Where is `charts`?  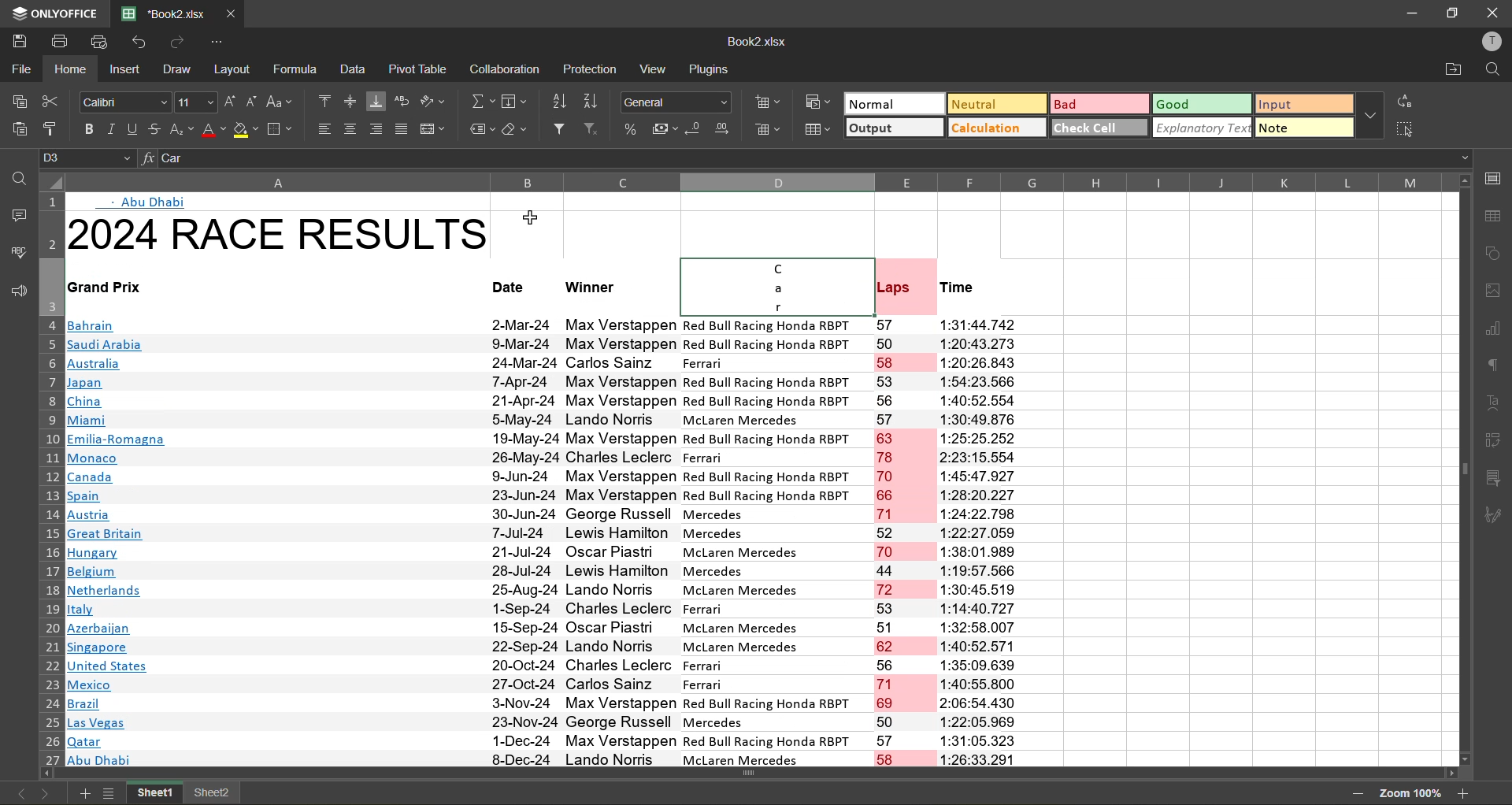
charts is located at coordinates (1496, 331).